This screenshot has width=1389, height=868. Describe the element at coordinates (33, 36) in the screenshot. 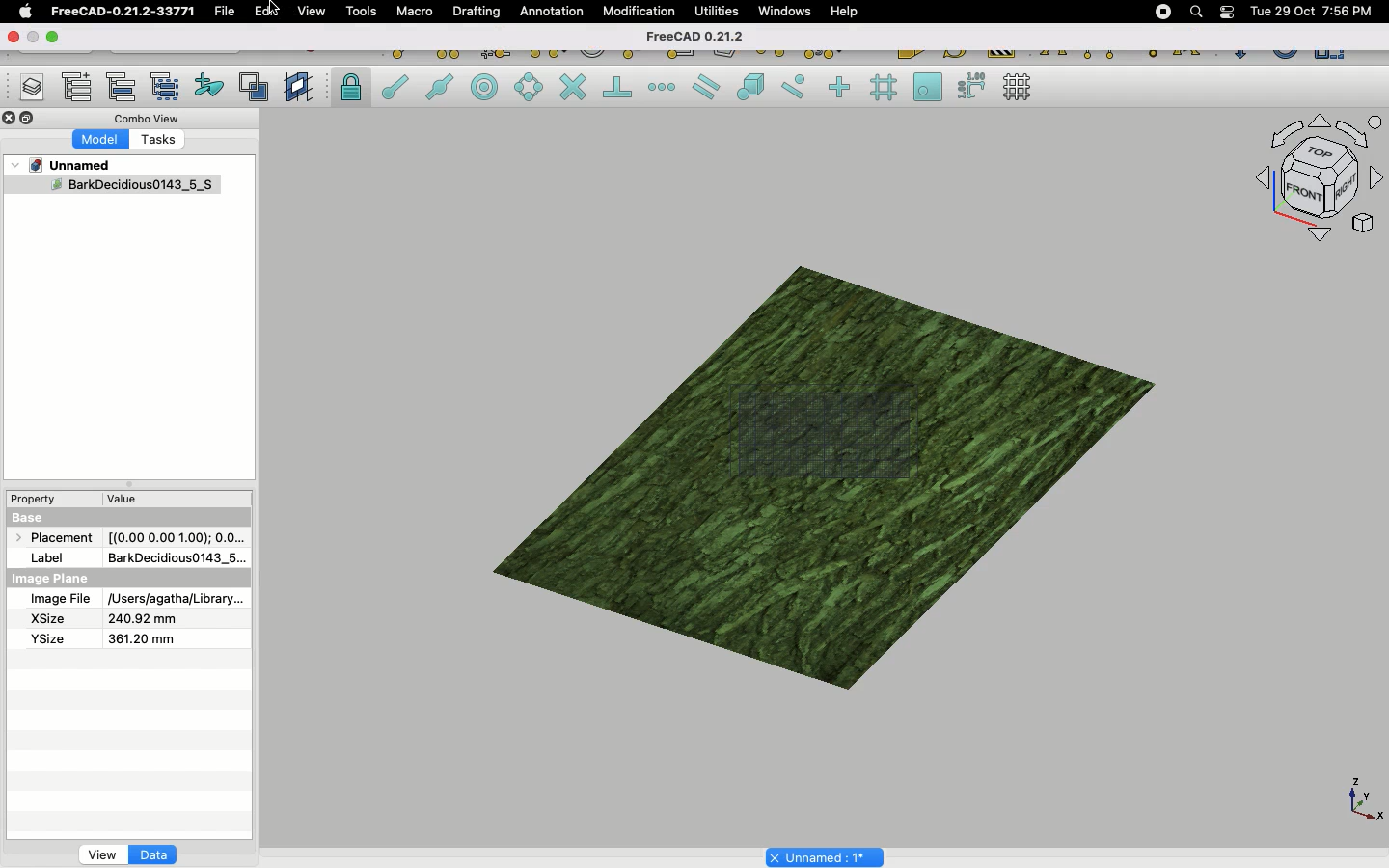

I see `minimise` at that location.